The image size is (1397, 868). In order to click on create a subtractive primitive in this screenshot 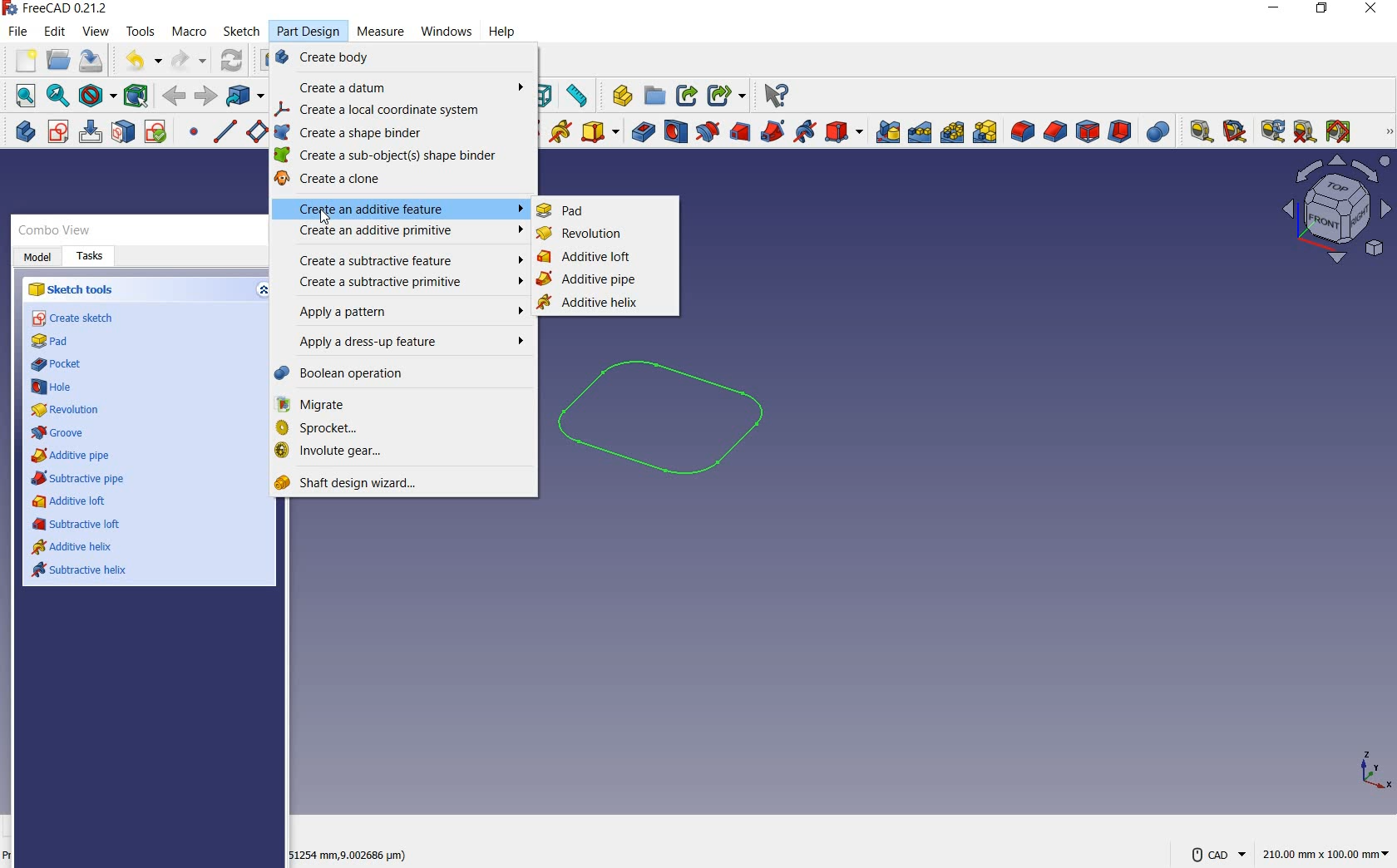, I will do `click(846, 131)`.